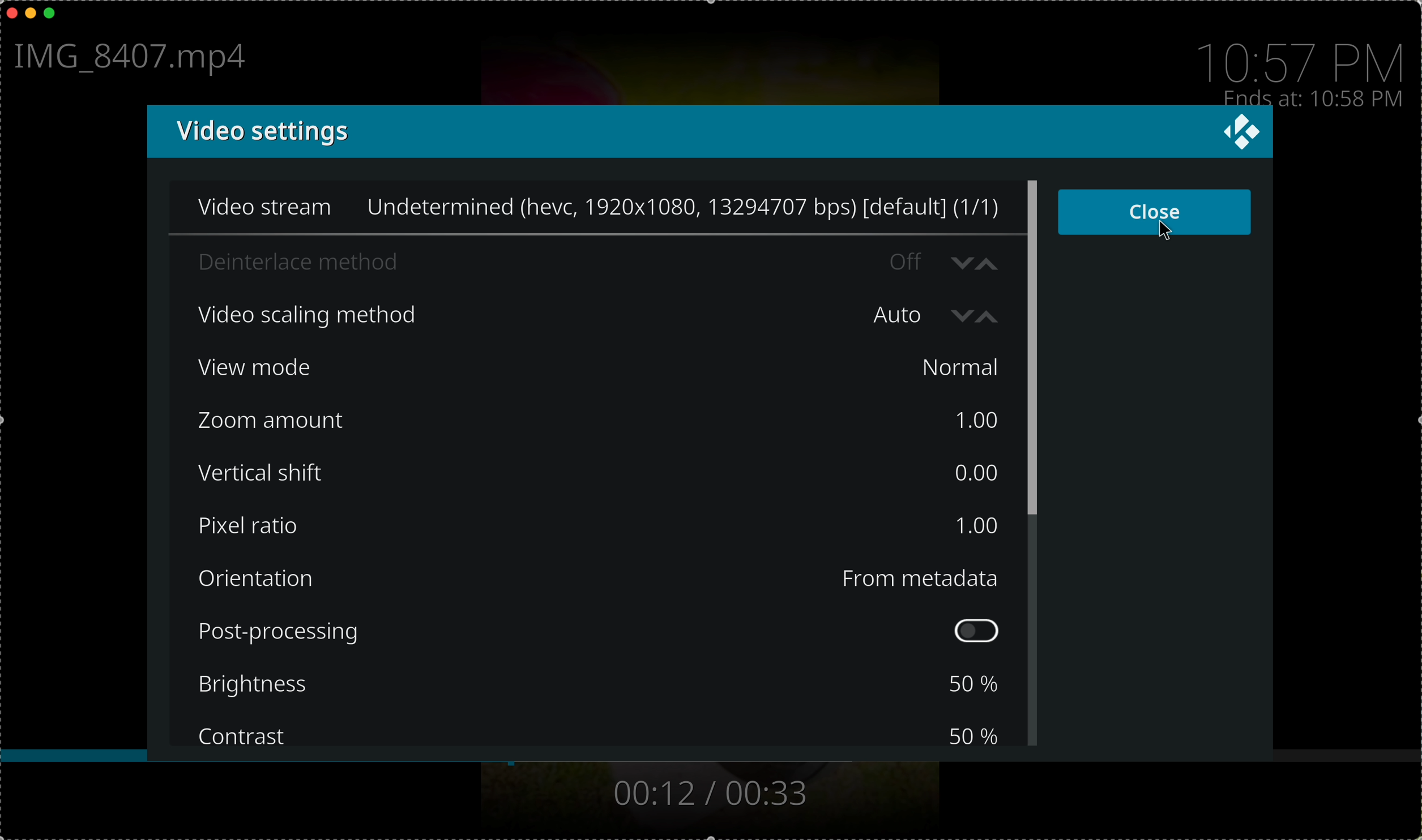 This screenshot has width=1422, height=840. Describe the element at coordinates (1164, 232) in the screenshot. I see `Cursor` at that location.